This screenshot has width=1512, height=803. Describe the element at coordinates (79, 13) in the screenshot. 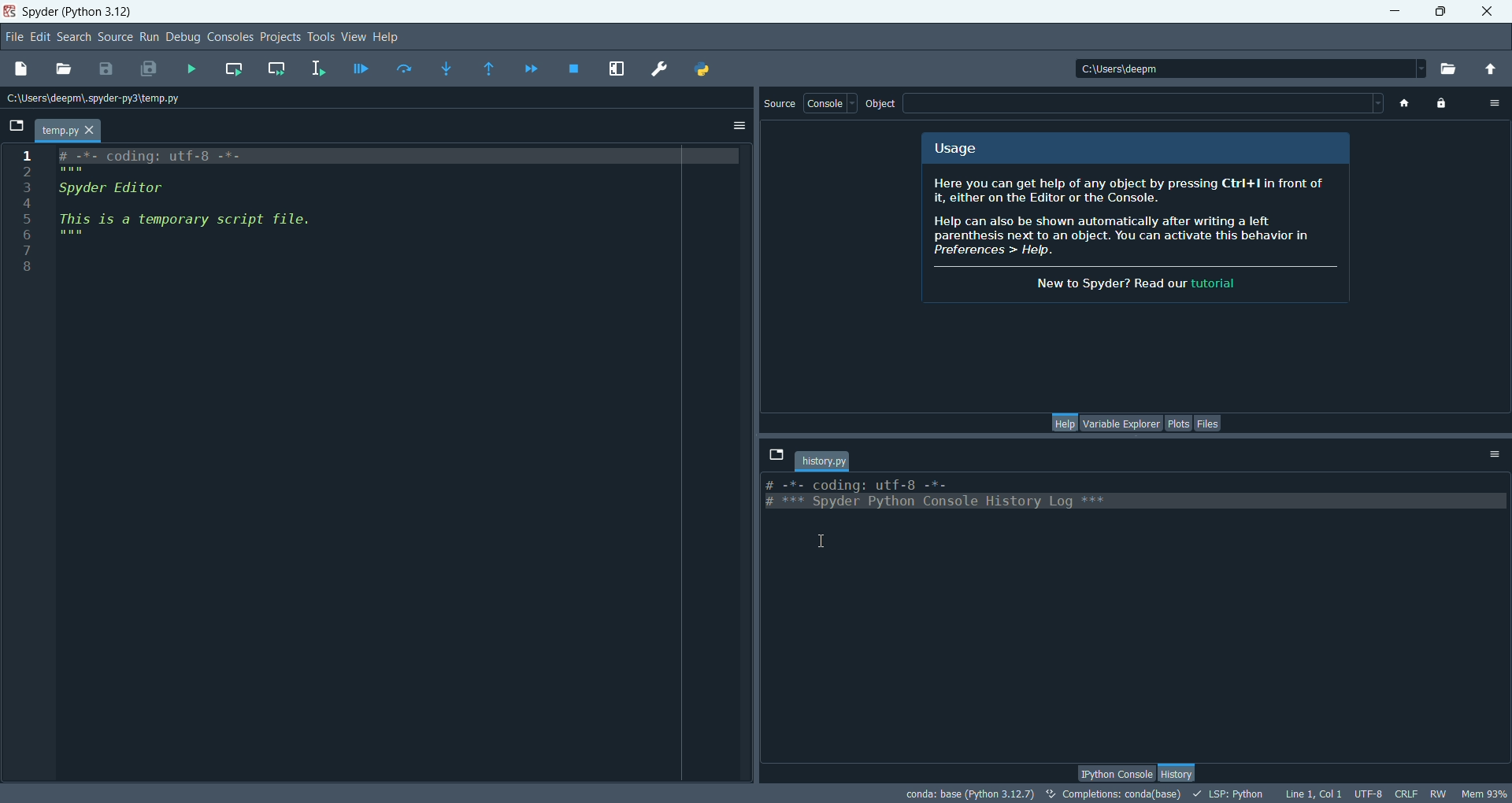

I see `spyder` at that location.